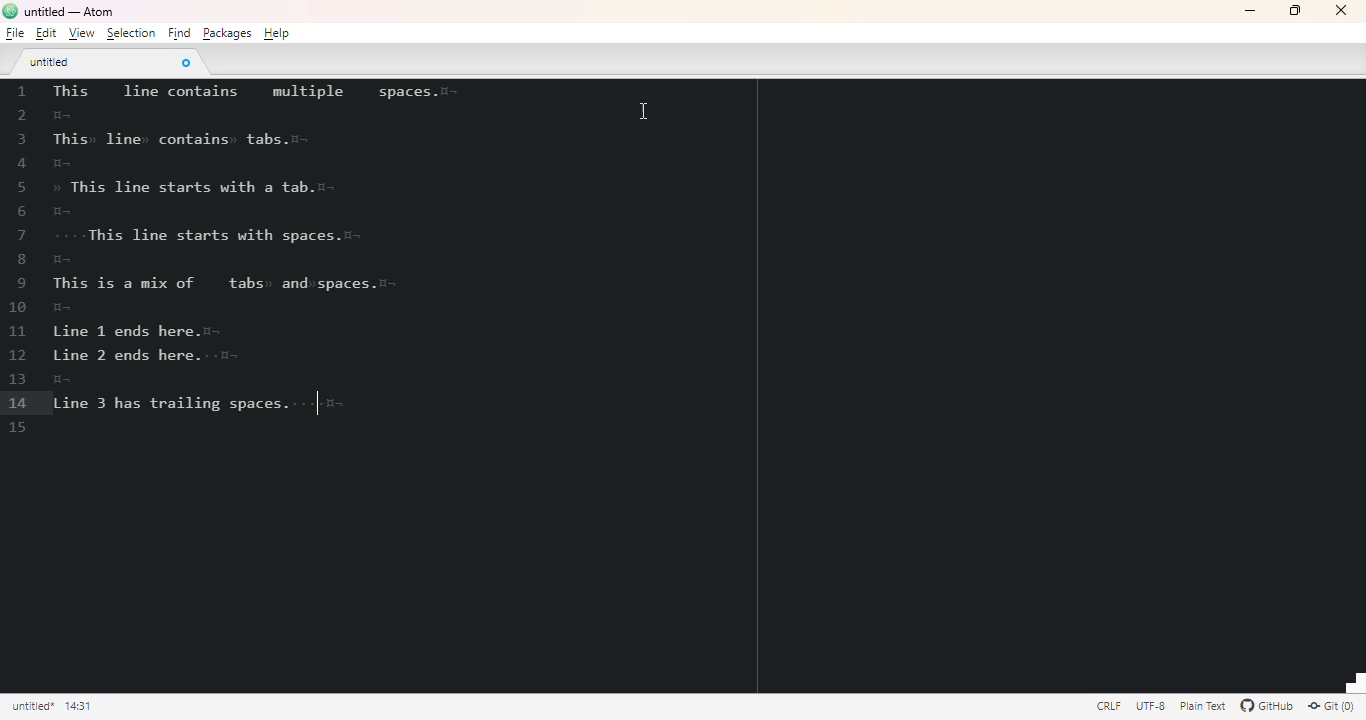 This screenshot has height=720, width=1366. I want to click on invisible characters, so click(450, 91).